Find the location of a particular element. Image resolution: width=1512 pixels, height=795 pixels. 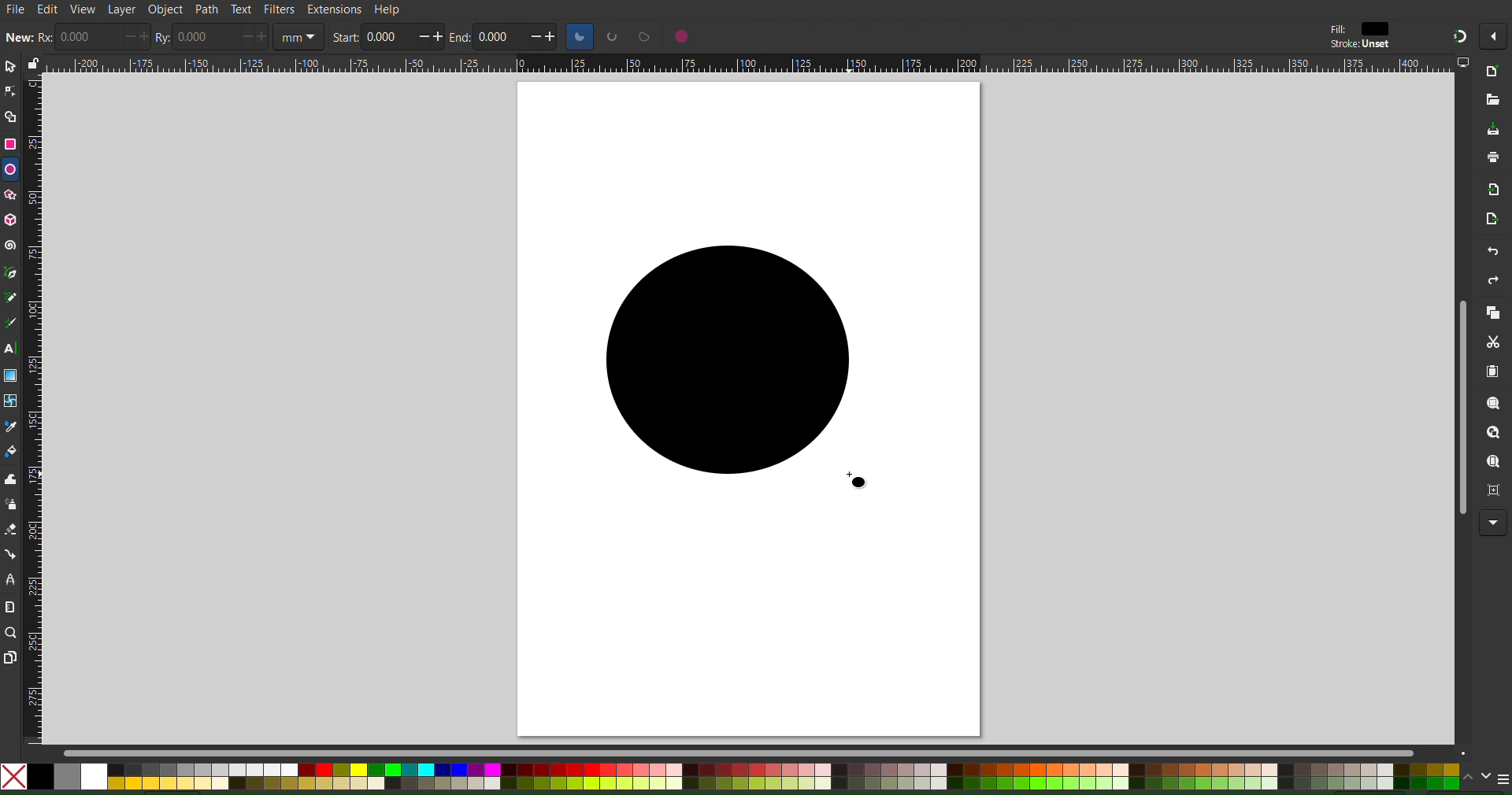

Spray Tool is located at coordinates (11, 505).